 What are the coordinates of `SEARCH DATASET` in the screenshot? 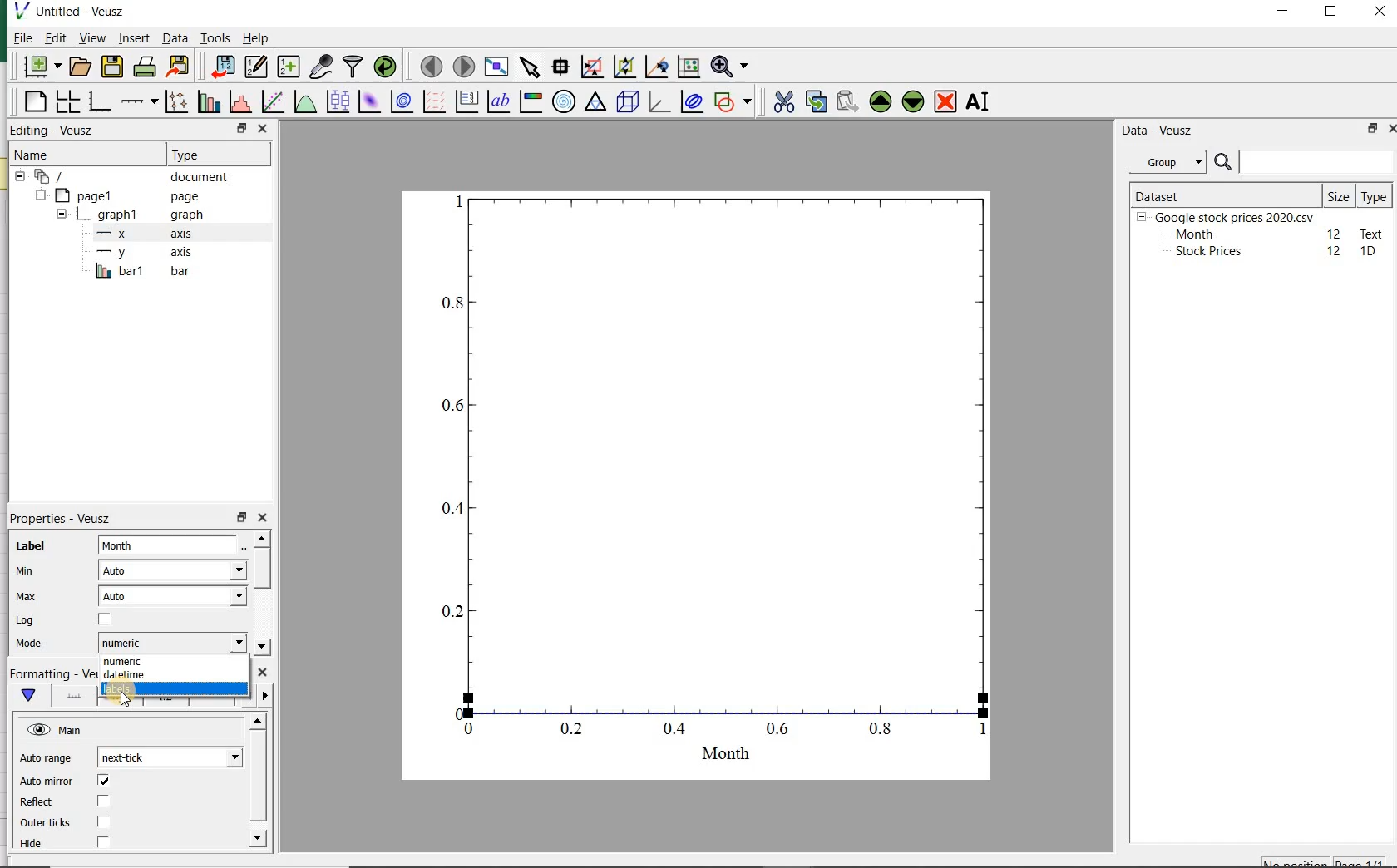 It's located at (1304, 161).